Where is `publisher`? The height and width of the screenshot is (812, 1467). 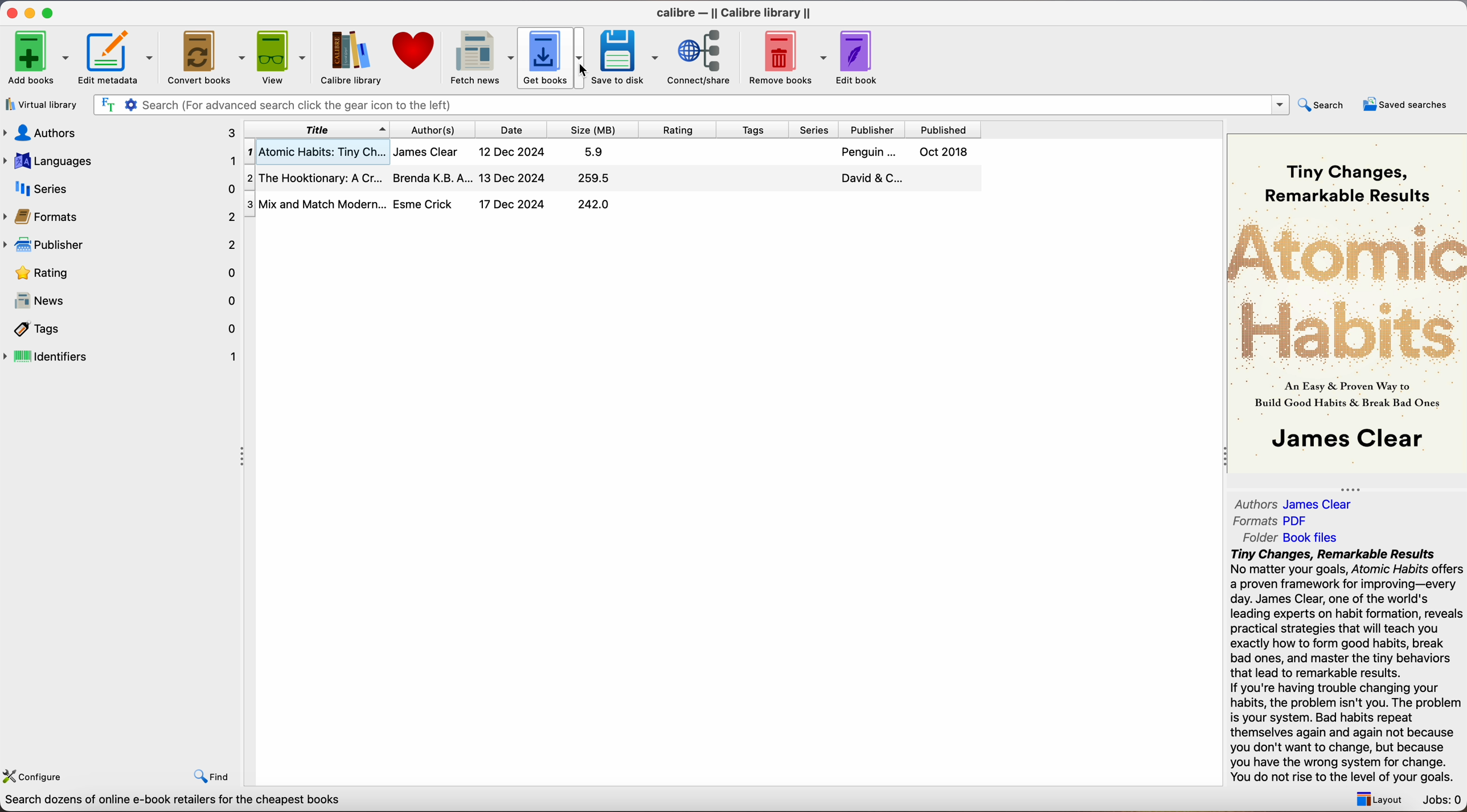 publisher is located at coordinates (876, 130).